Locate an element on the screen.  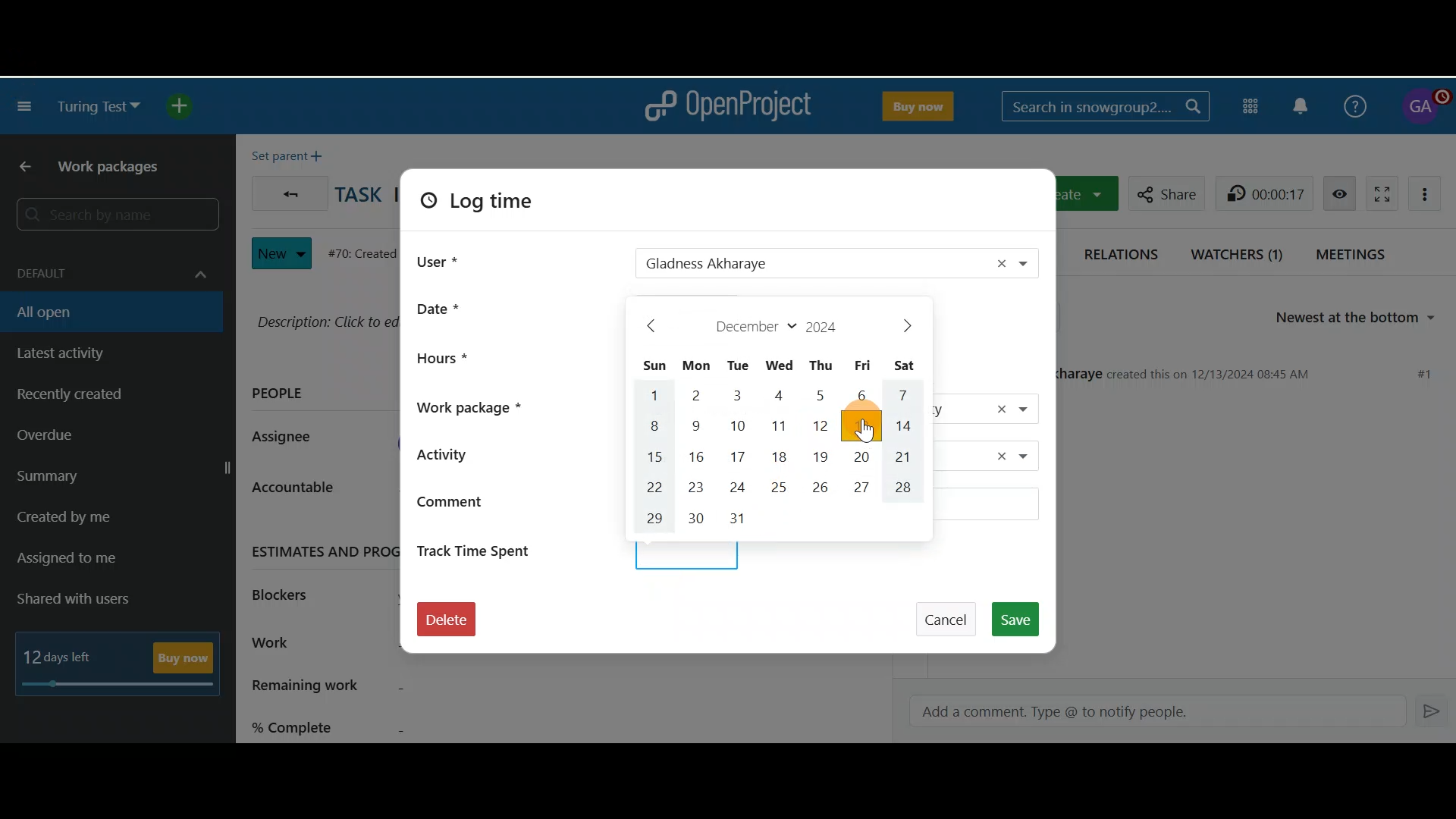
Unwatch work package is located at coordinates (1339, 193).